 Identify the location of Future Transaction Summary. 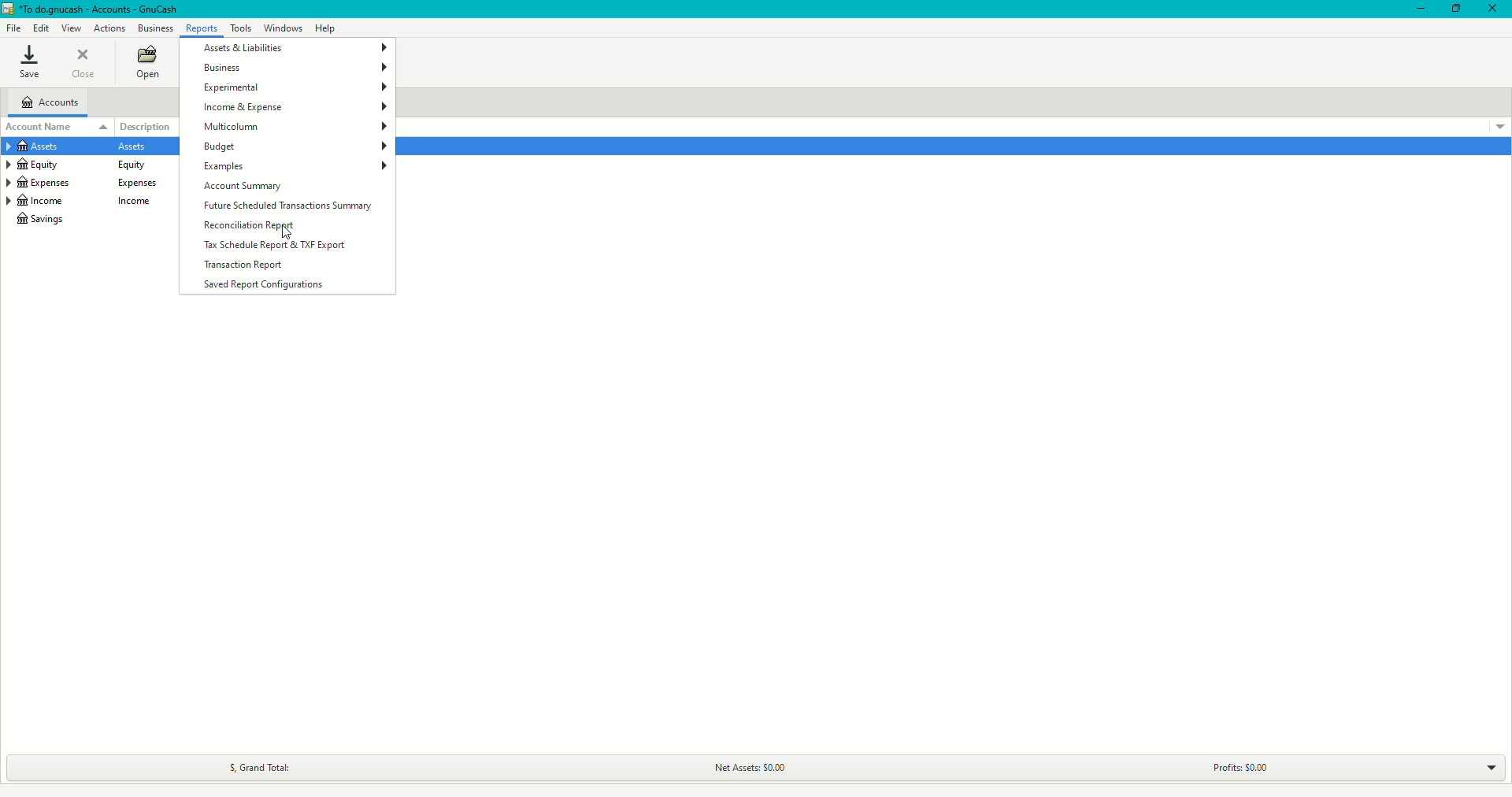
(287, 207).